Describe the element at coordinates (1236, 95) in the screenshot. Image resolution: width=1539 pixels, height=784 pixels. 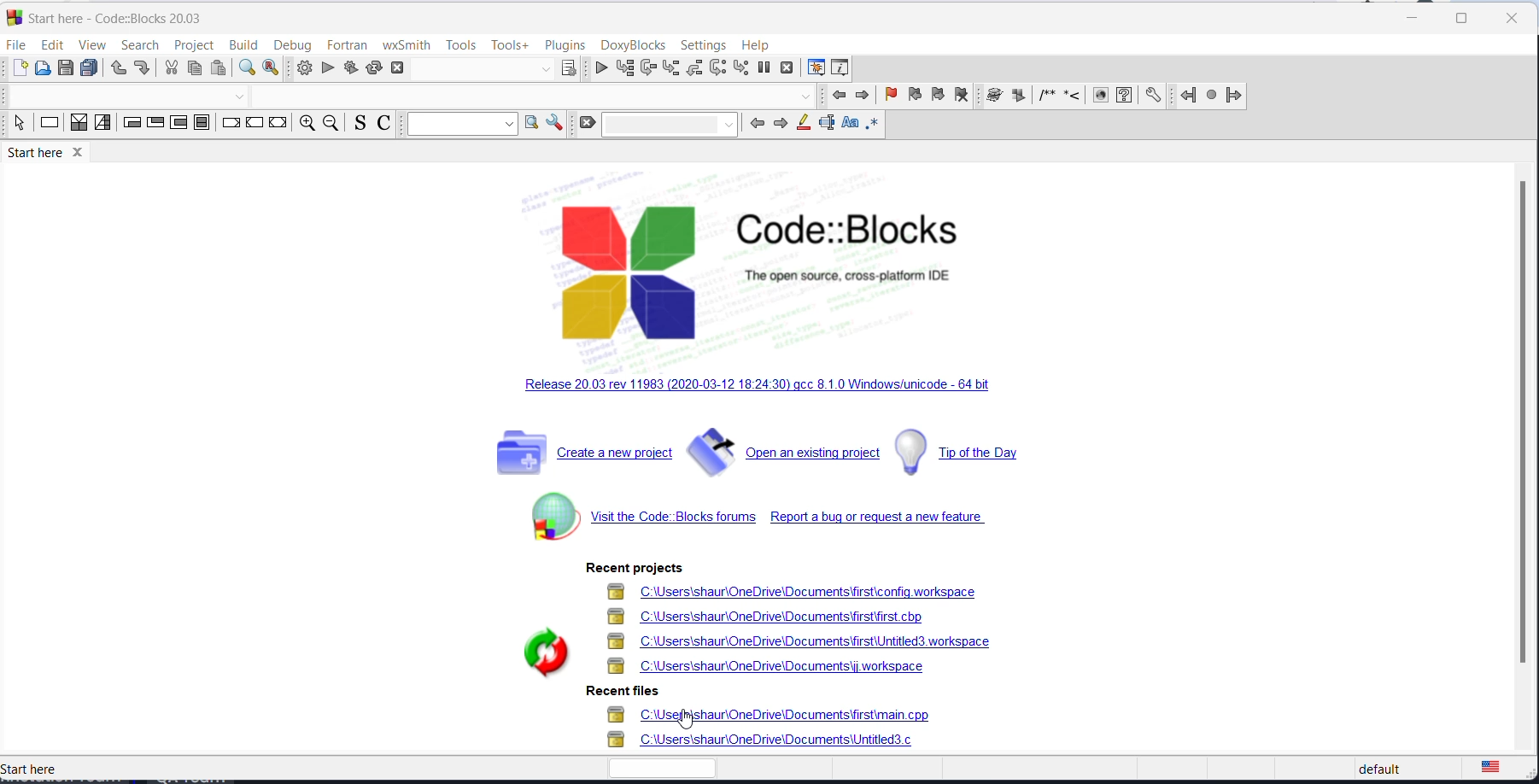
I see `jump forward` at that location.